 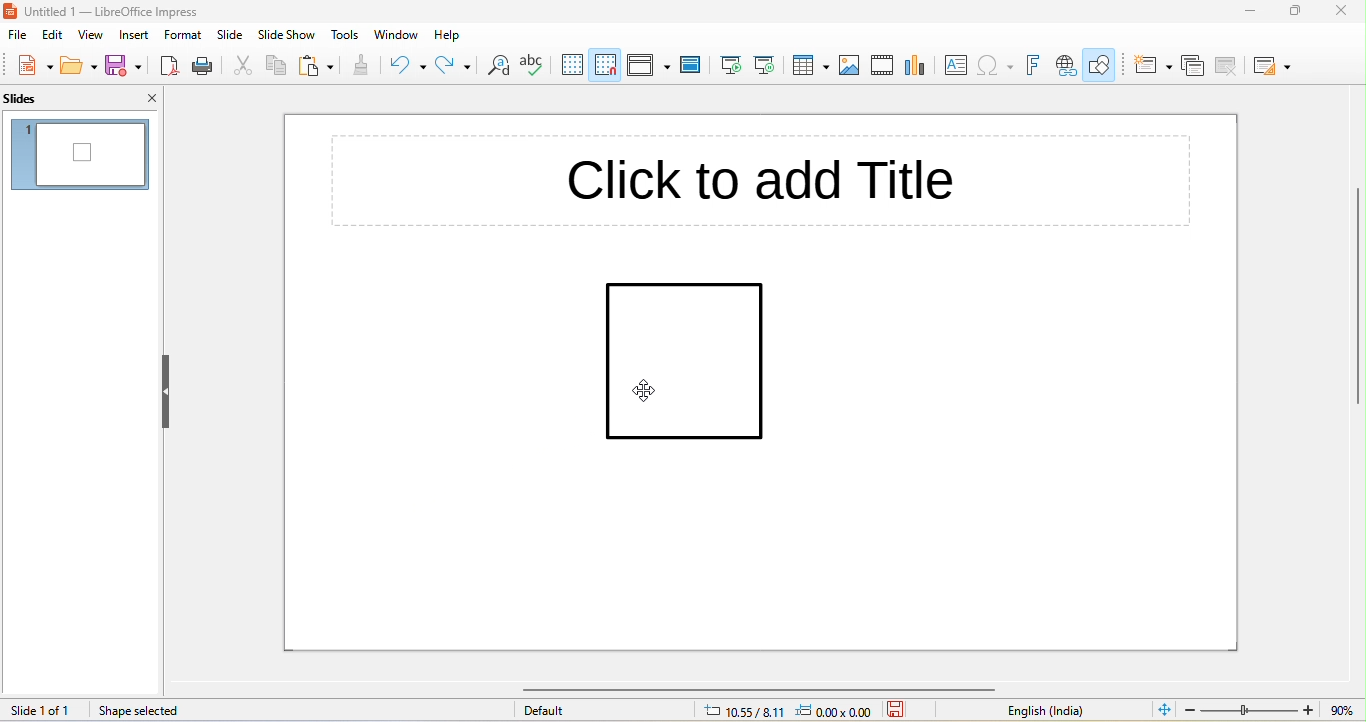 I want to click on insert hyperlink, so click(x=1064, y=66).